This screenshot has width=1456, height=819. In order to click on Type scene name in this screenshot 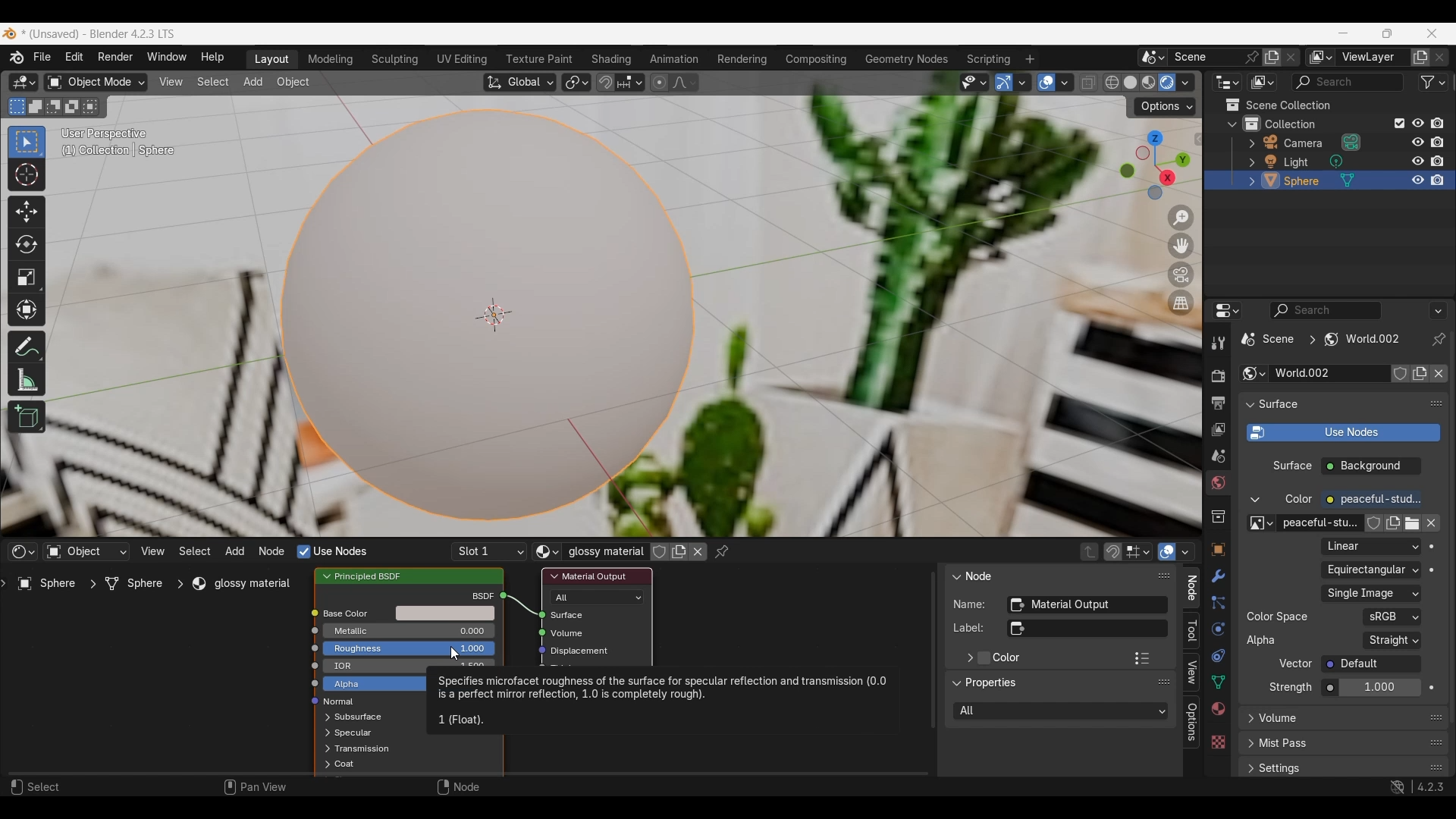, I will do `click(1203, 57)`.